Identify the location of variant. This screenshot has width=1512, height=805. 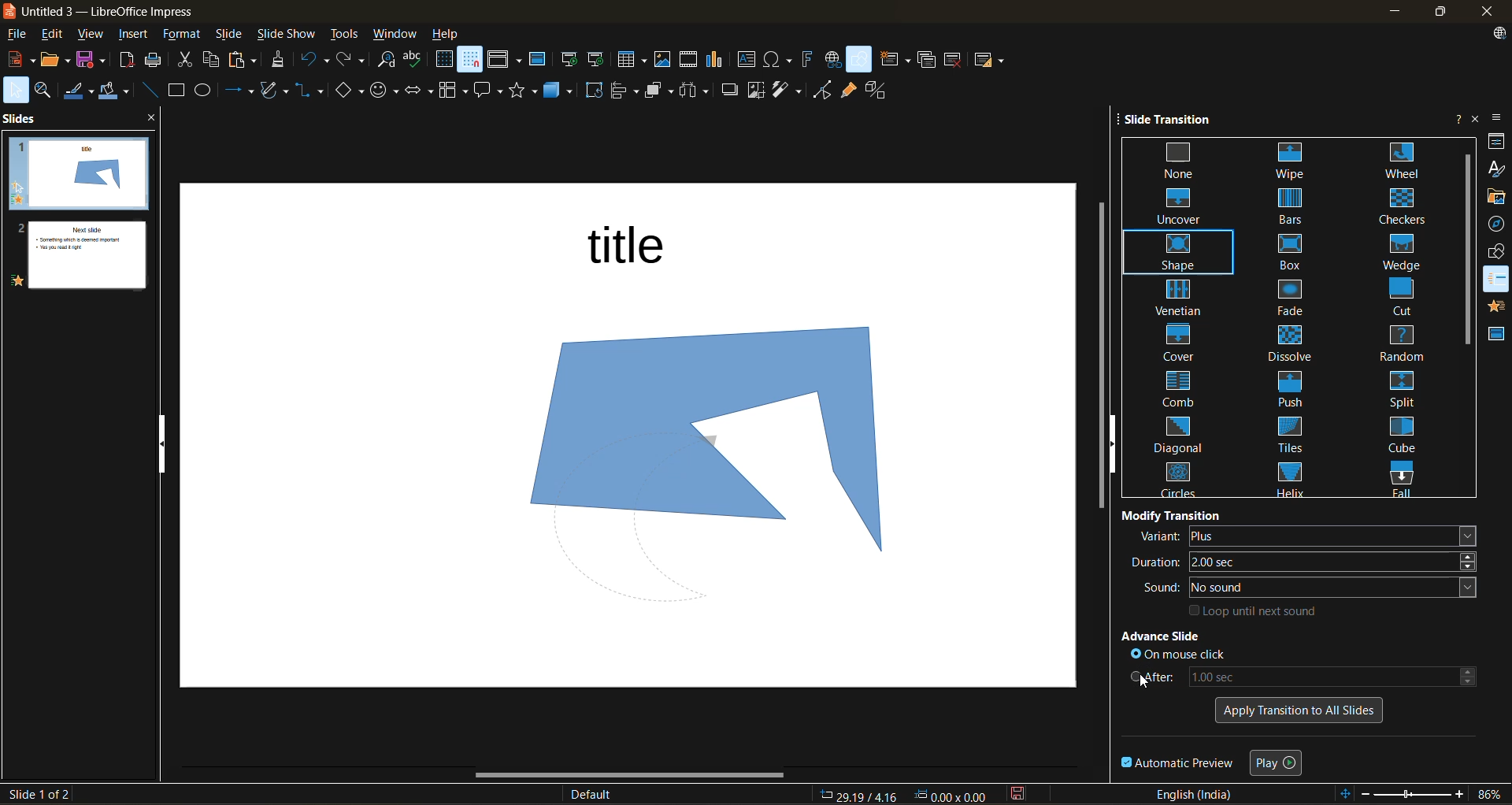
(1306, 536).